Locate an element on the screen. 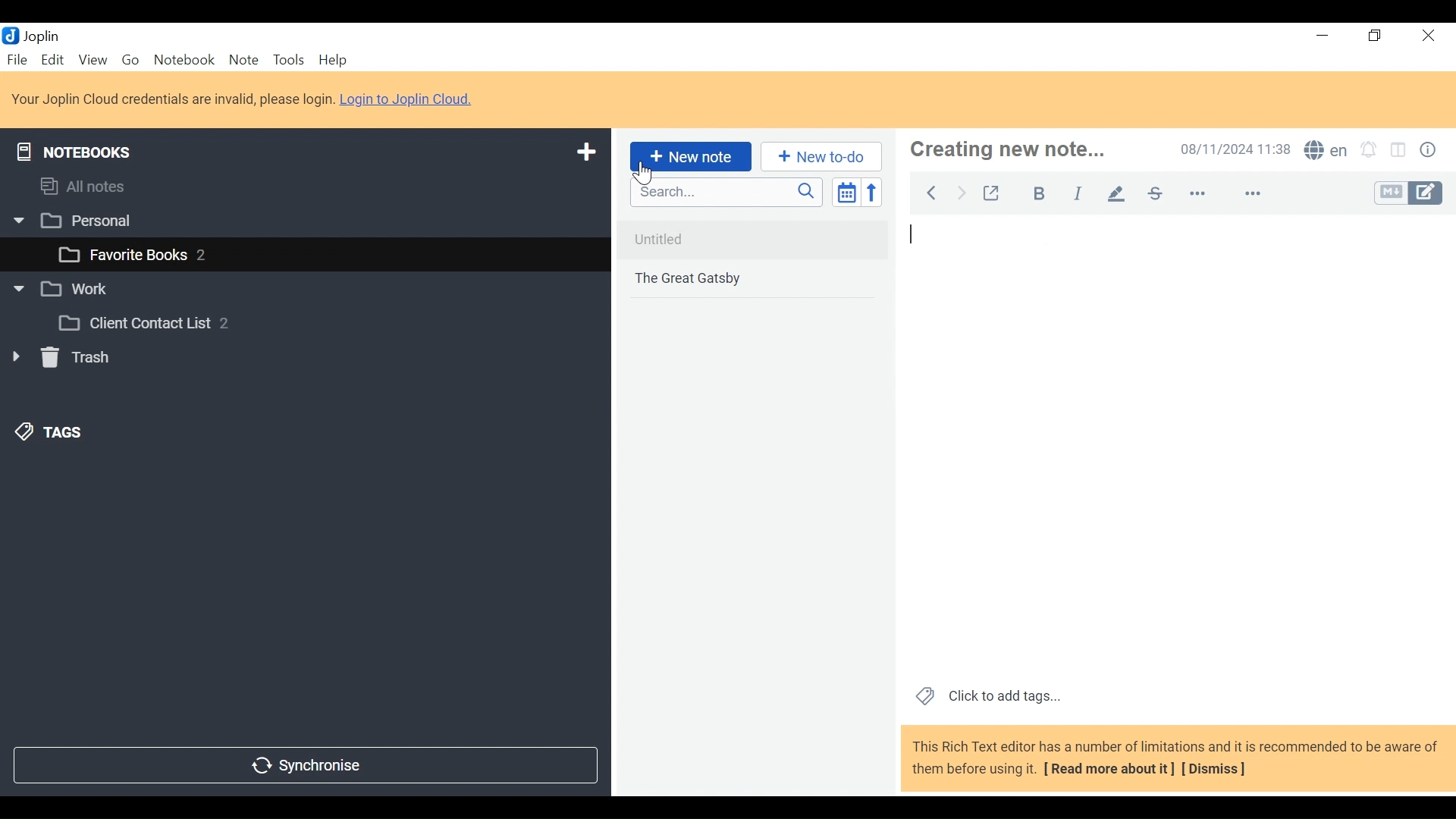 This screenshot has width=1456, height=819. Tags is located at coordinates (52, 431).